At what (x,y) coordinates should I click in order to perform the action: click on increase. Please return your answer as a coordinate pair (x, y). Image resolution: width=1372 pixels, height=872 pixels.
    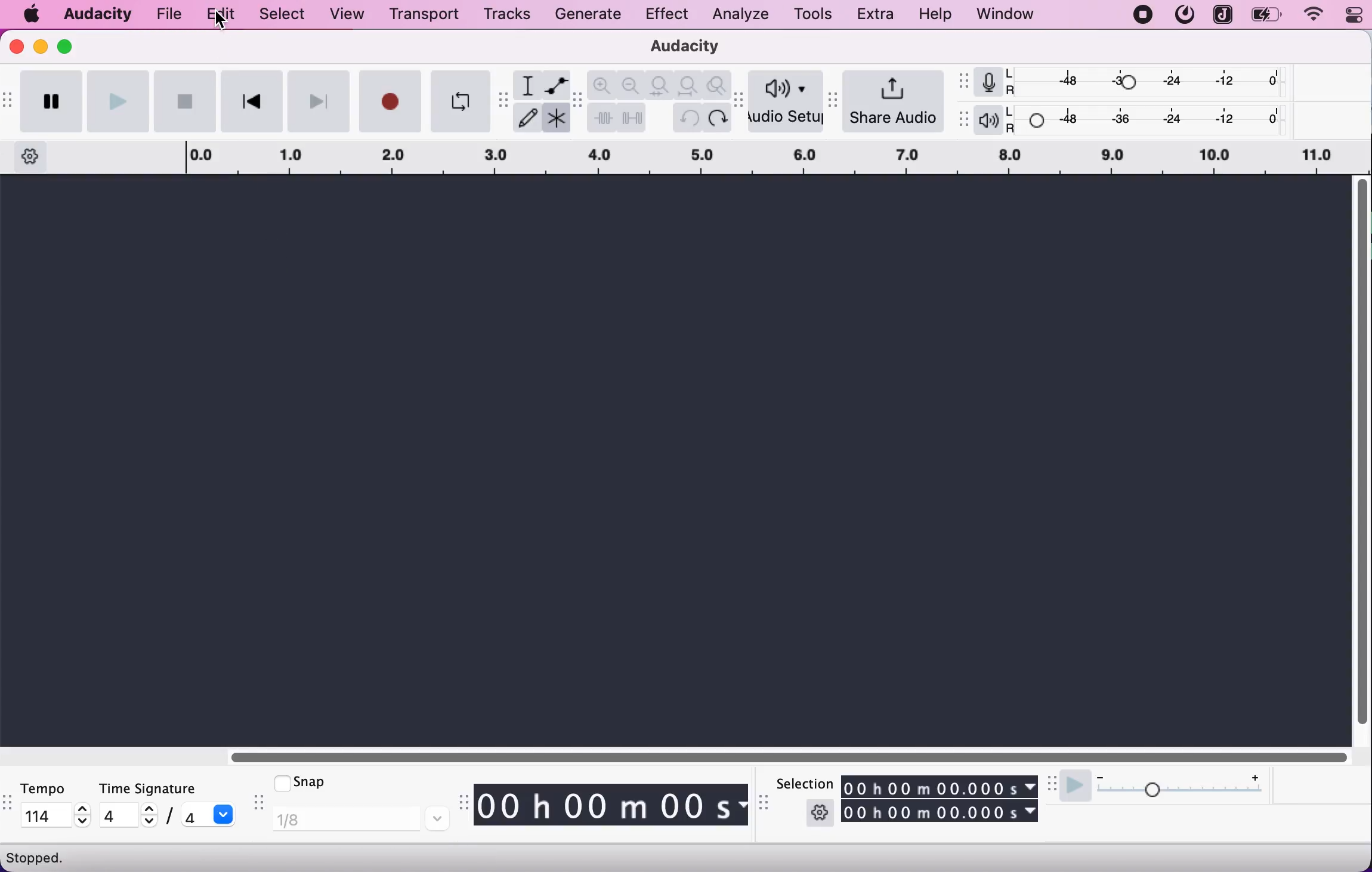
    Looking at the image, I should click on (83, 809).